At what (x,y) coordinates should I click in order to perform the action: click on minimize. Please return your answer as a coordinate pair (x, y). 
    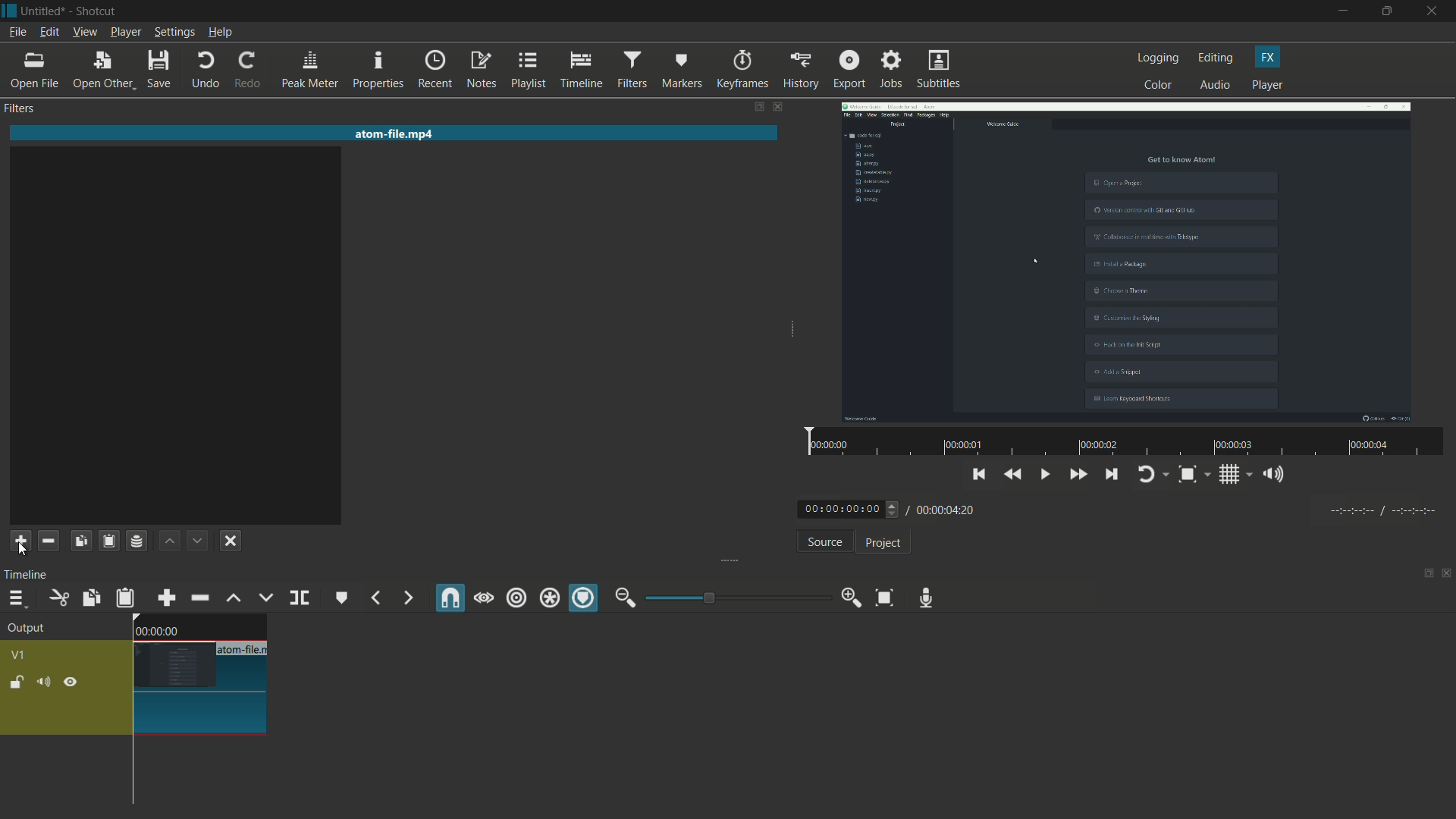
    Looking at the image, I should click on (1343, 11).